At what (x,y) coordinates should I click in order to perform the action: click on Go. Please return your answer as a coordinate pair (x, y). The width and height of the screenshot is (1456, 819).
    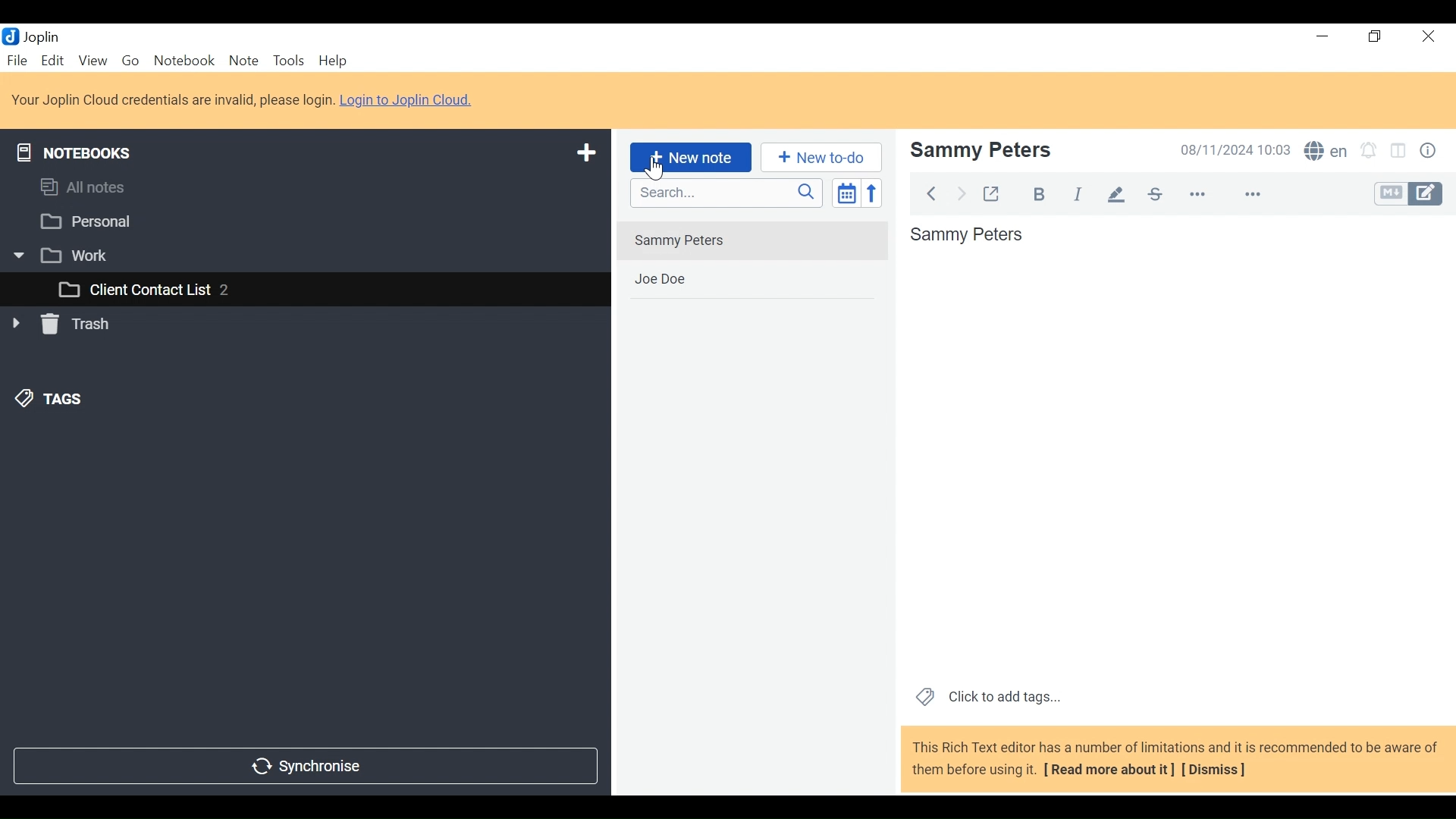
    Looking at the image, I should click on (130, 61).